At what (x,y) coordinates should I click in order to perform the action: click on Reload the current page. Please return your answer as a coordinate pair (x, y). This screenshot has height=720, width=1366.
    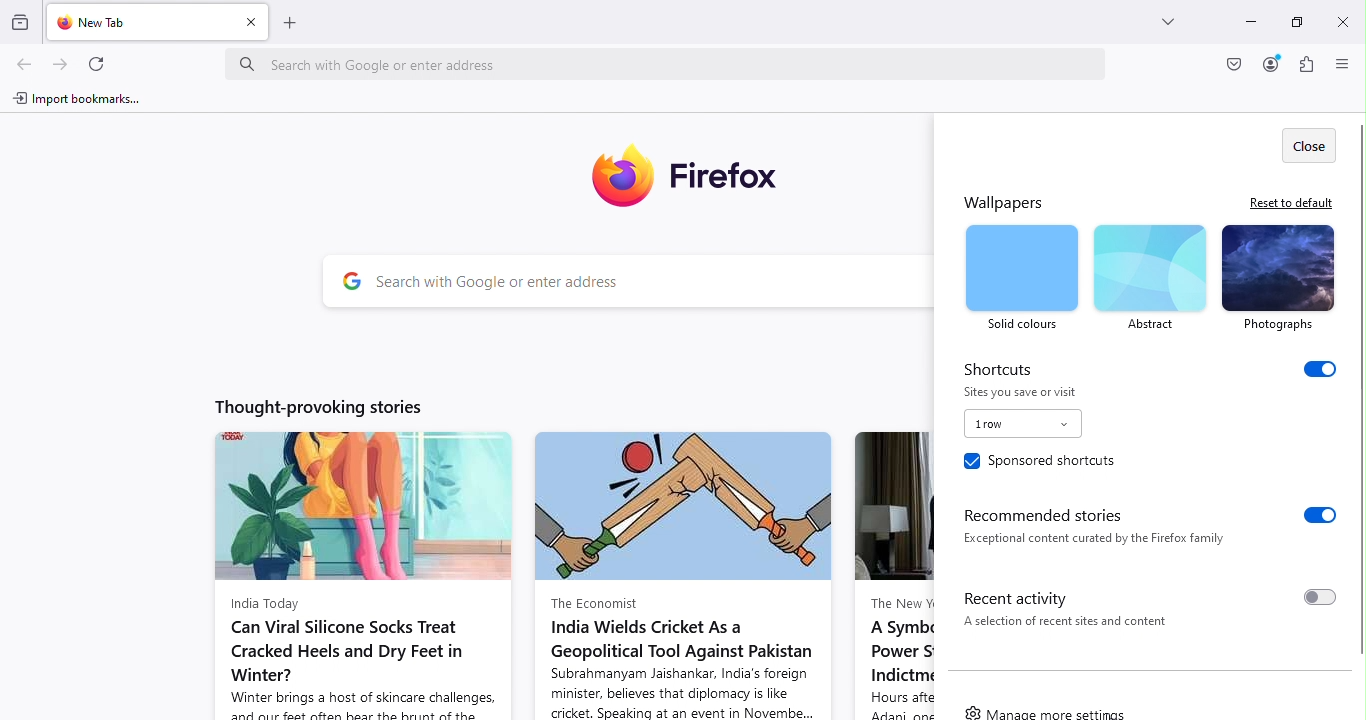
    Looking at the image, I should click on (102, 63).